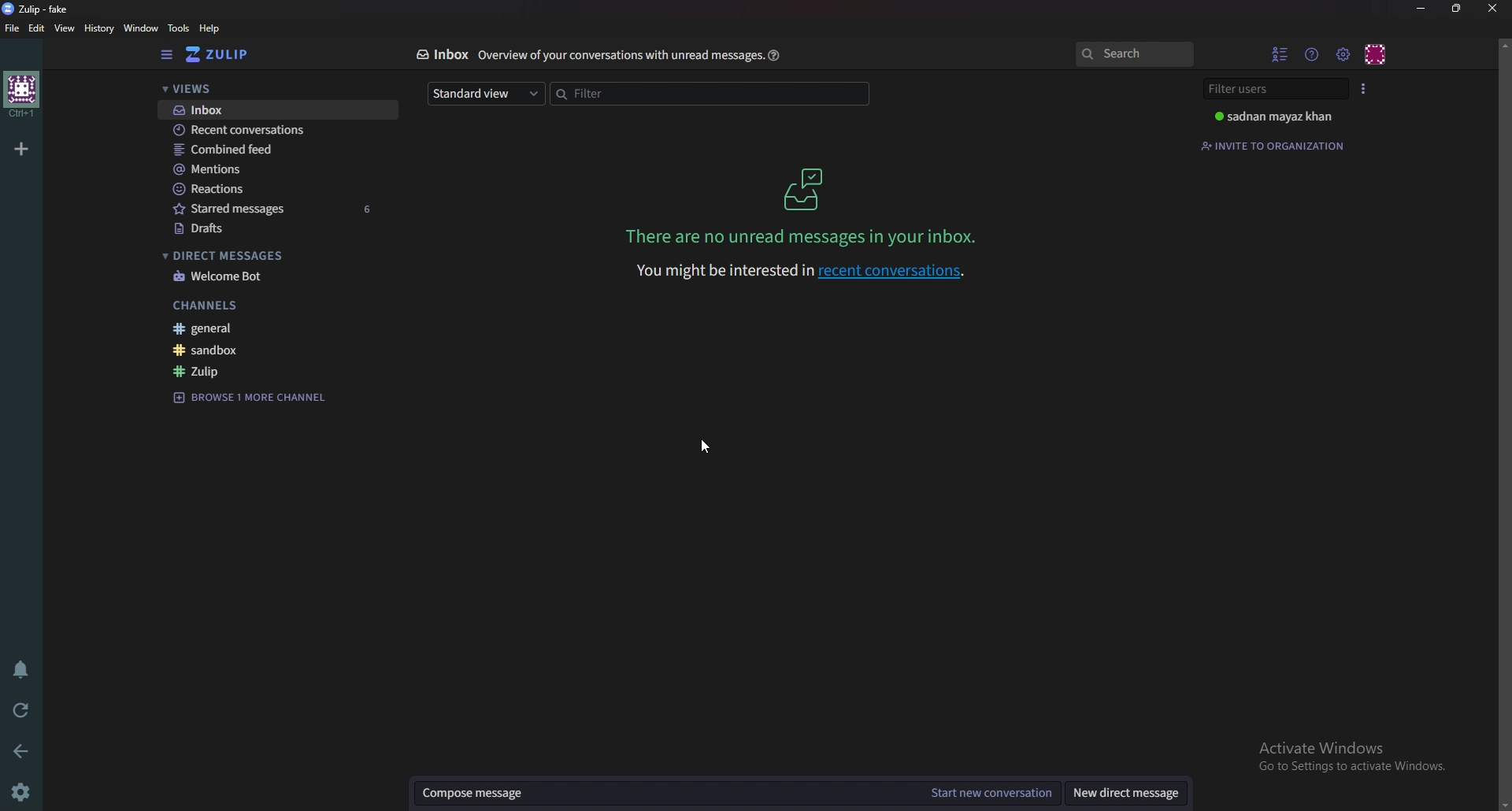 The width and height of the screenshot is (1512, 811). What do you see at coordinates (21, 710) in the screenshot?
I see `Reload` at bounding box center [21, 710].